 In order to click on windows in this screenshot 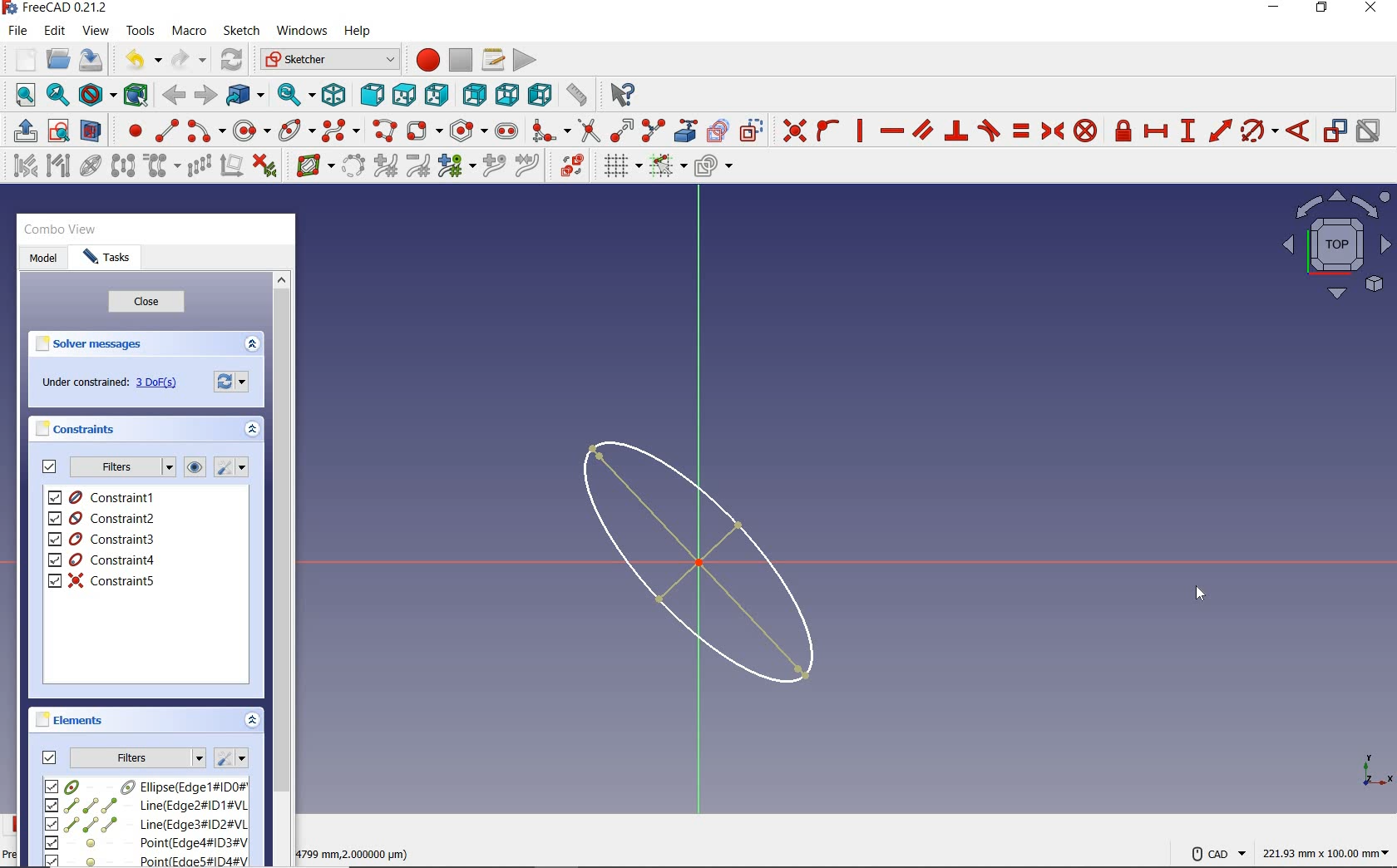, I will do `click(300, 32)`.